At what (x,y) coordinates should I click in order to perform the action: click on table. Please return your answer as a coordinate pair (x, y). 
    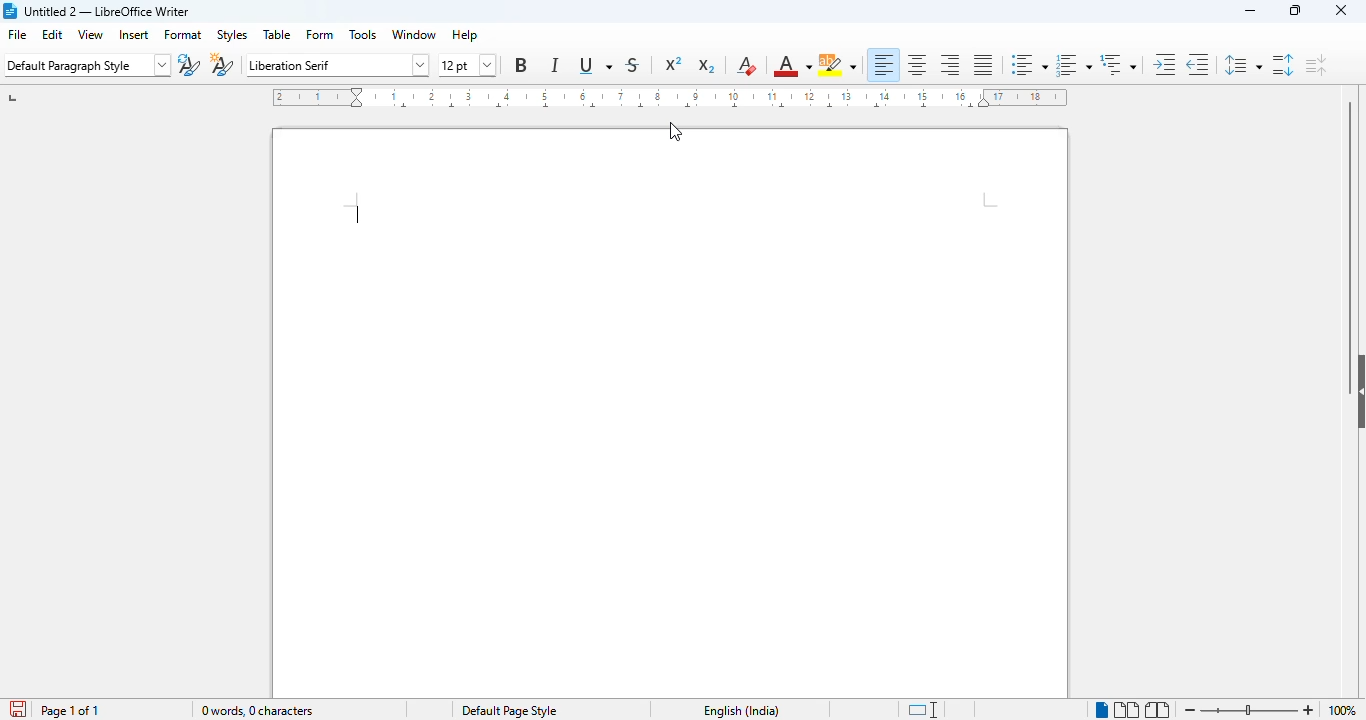
    Looking at the image, I should click on (278, 34).